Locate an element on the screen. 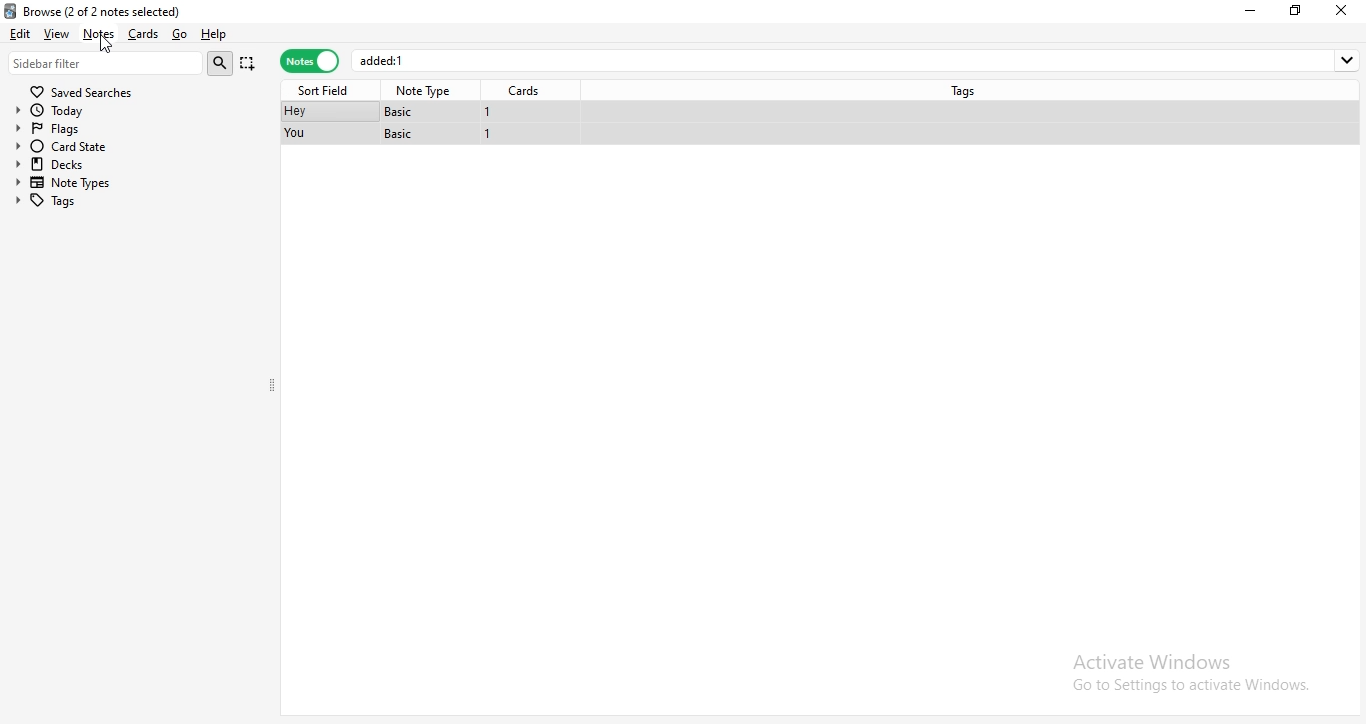 The width and height of the screenshot is (1366, 724). 1 is located at coordinates (488, 112).